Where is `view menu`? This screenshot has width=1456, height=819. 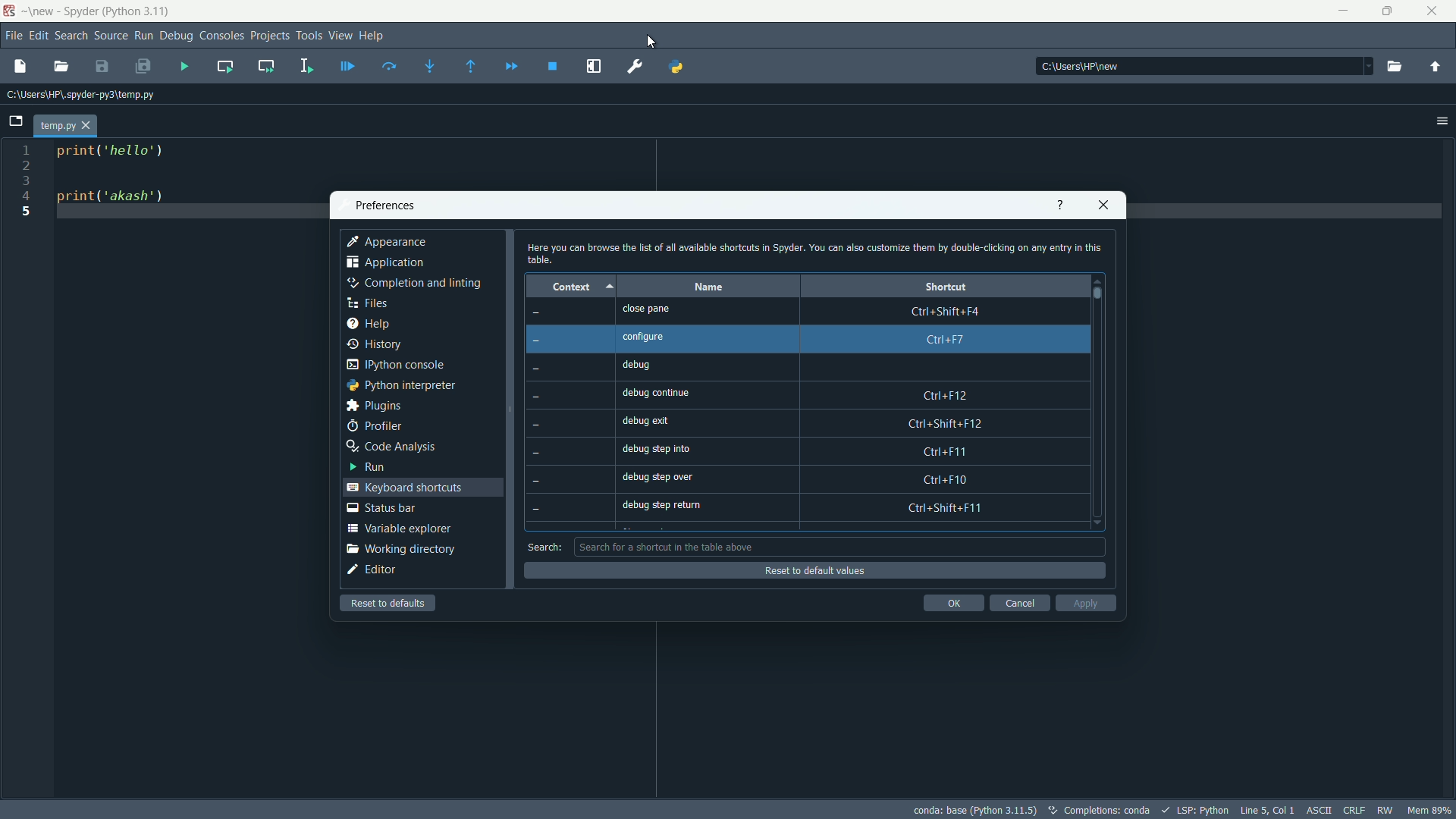
view menu is located at coordinates (341, 35).